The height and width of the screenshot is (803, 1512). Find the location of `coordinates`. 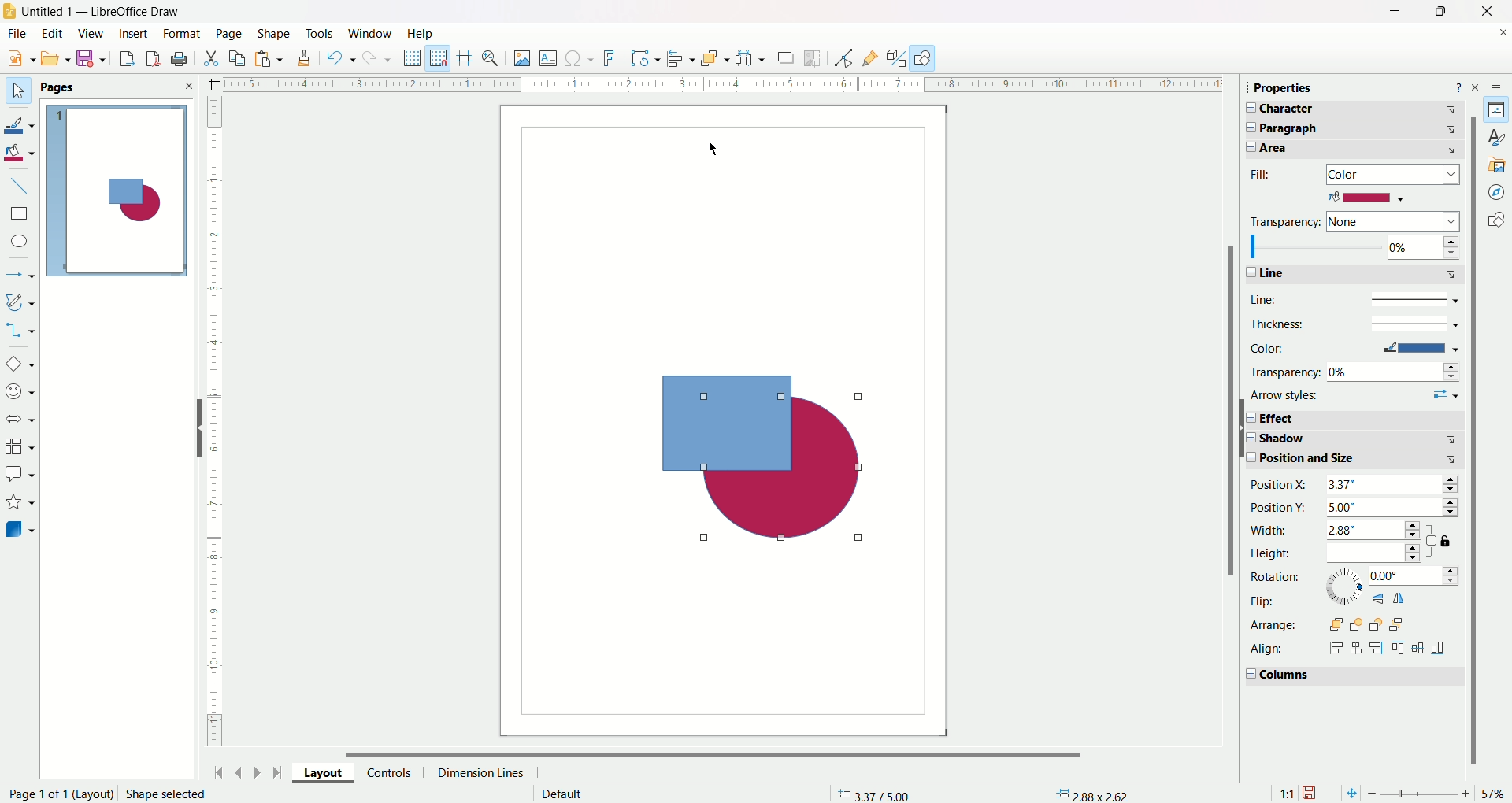

coordinates is located at coordinates (864, 790).